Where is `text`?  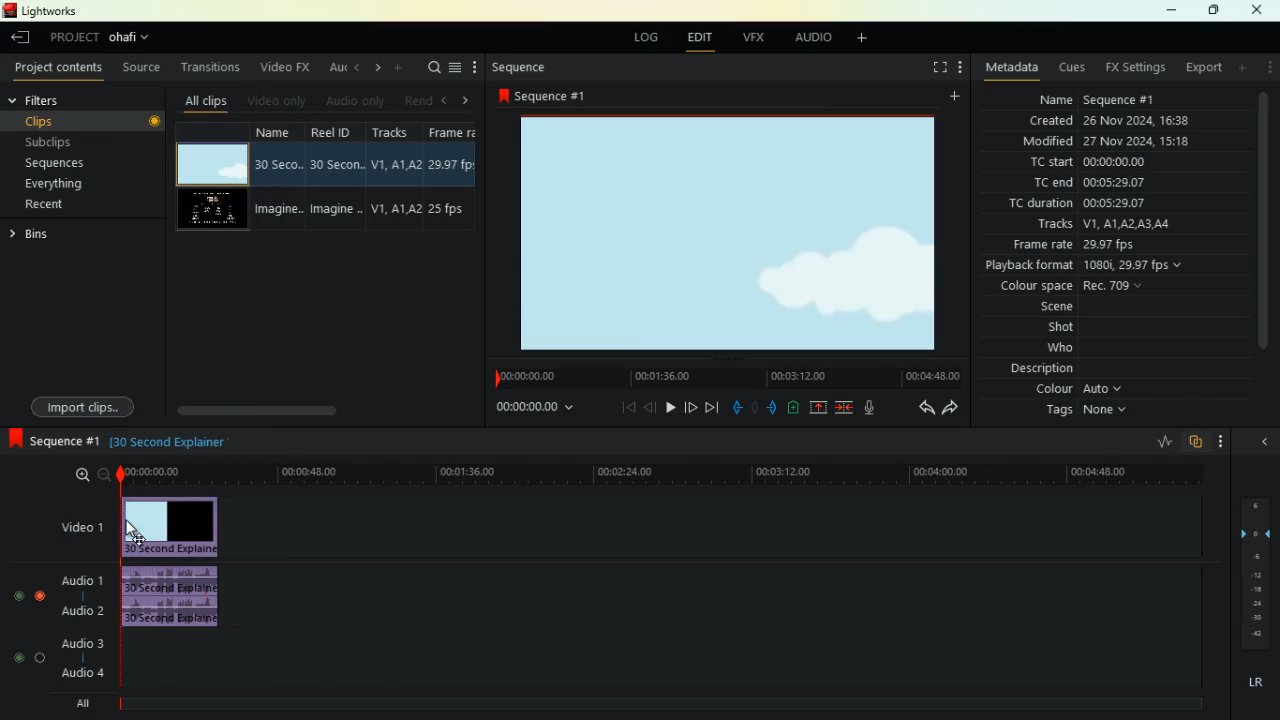 text is located at coordinates (186, 442).